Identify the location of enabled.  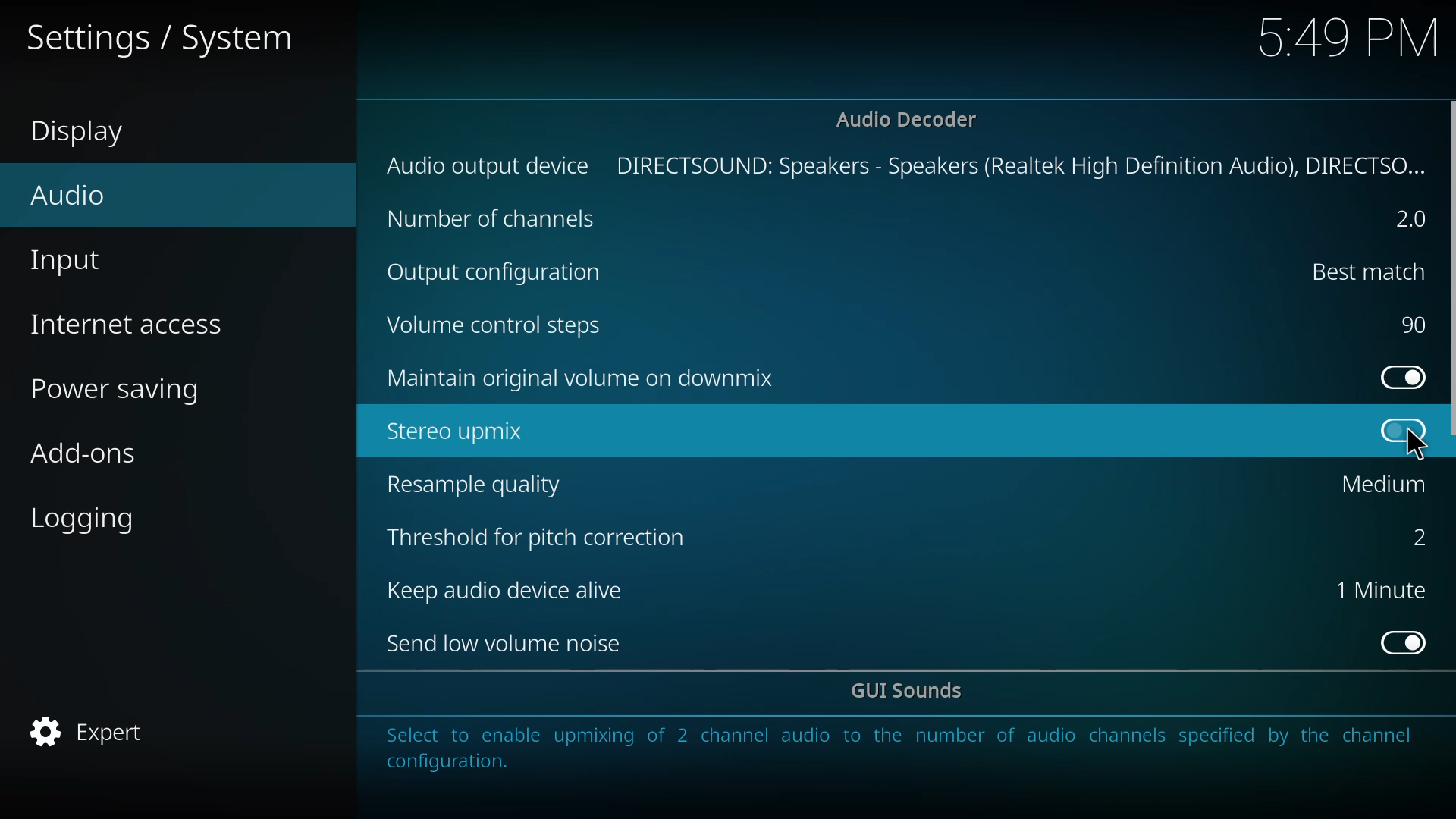
(1404, 641).